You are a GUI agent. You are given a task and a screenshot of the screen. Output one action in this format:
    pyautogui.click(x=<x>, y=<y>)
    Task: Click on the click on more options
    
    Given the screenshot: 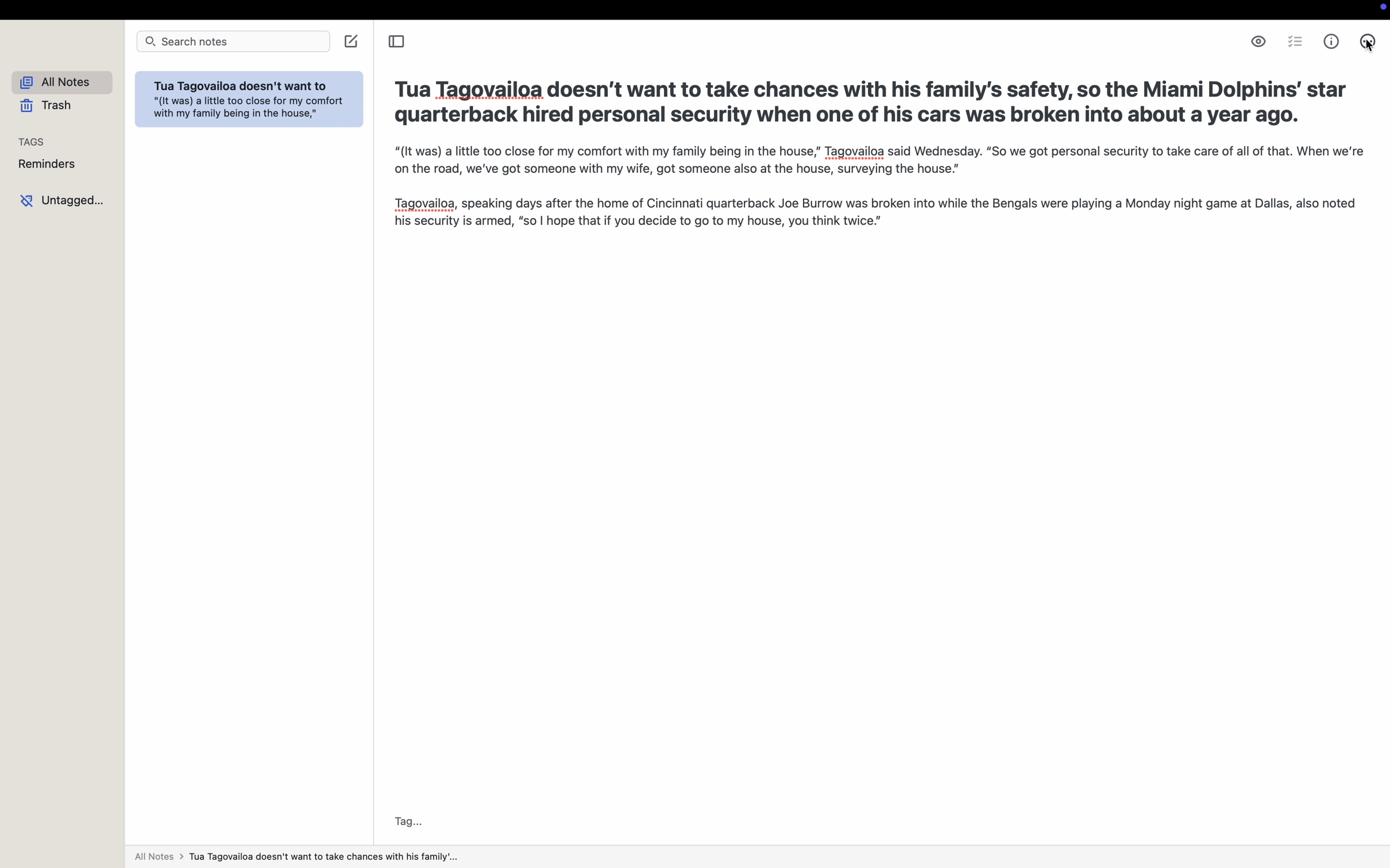 What is the action you would take?
    pyautogui.click(x=1368, y=43)
    